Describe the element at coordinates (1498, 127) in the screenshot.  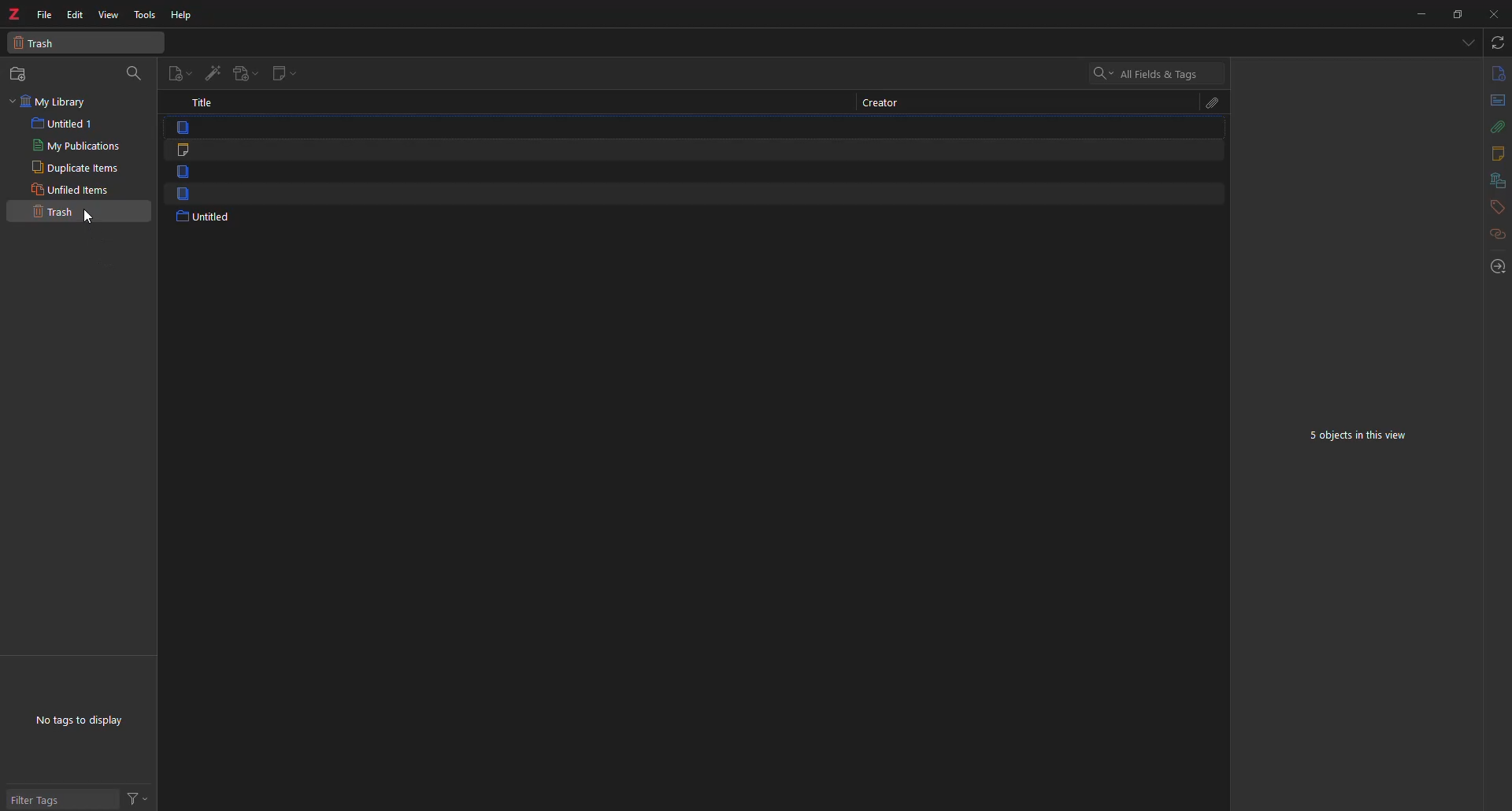
I see `attach` at that location.